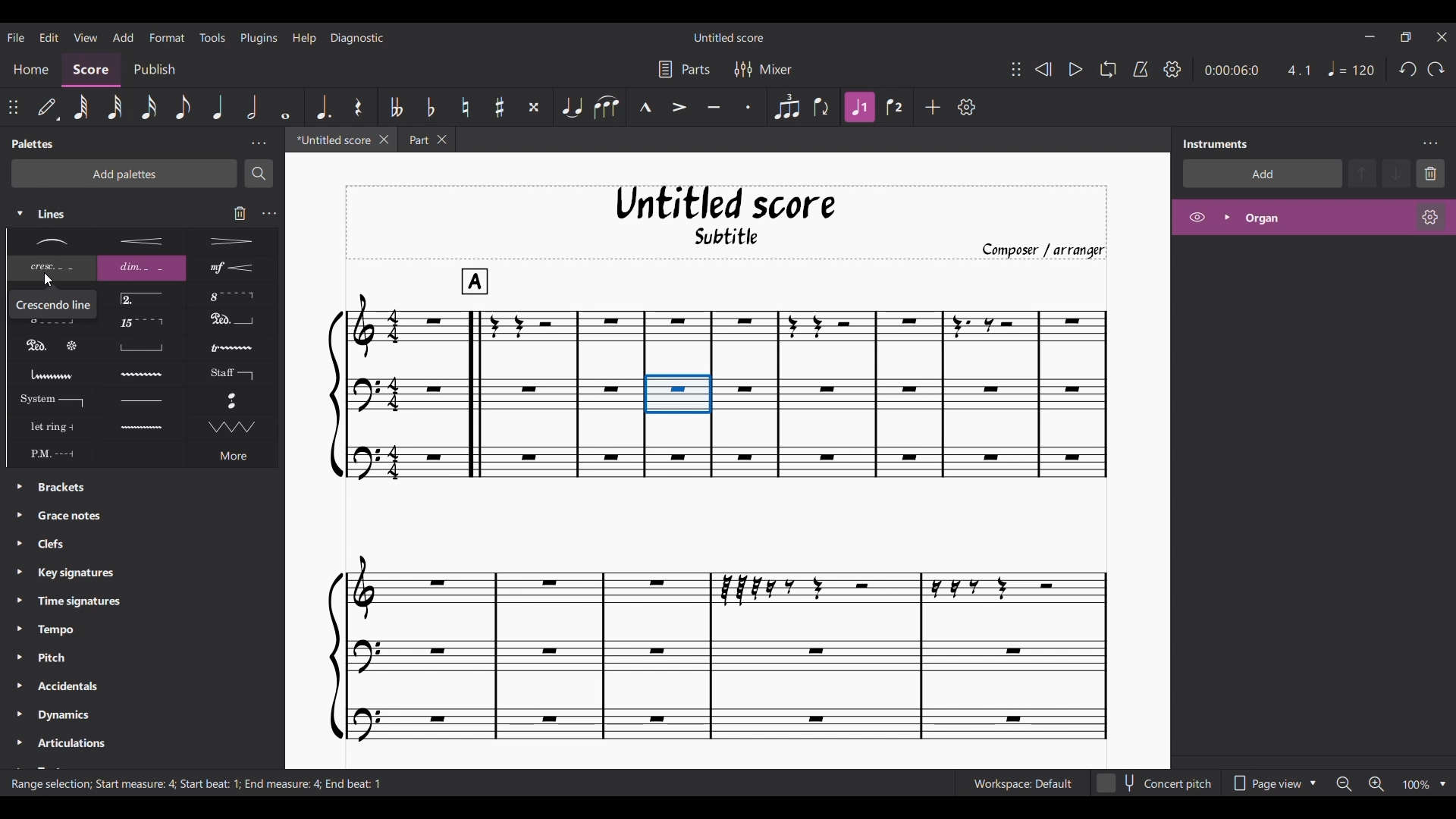 The image size is (1456, 819). What do you see at coordinates (48, 107) in the screenshot?
I see `Default` at bounding box center [48, 107].